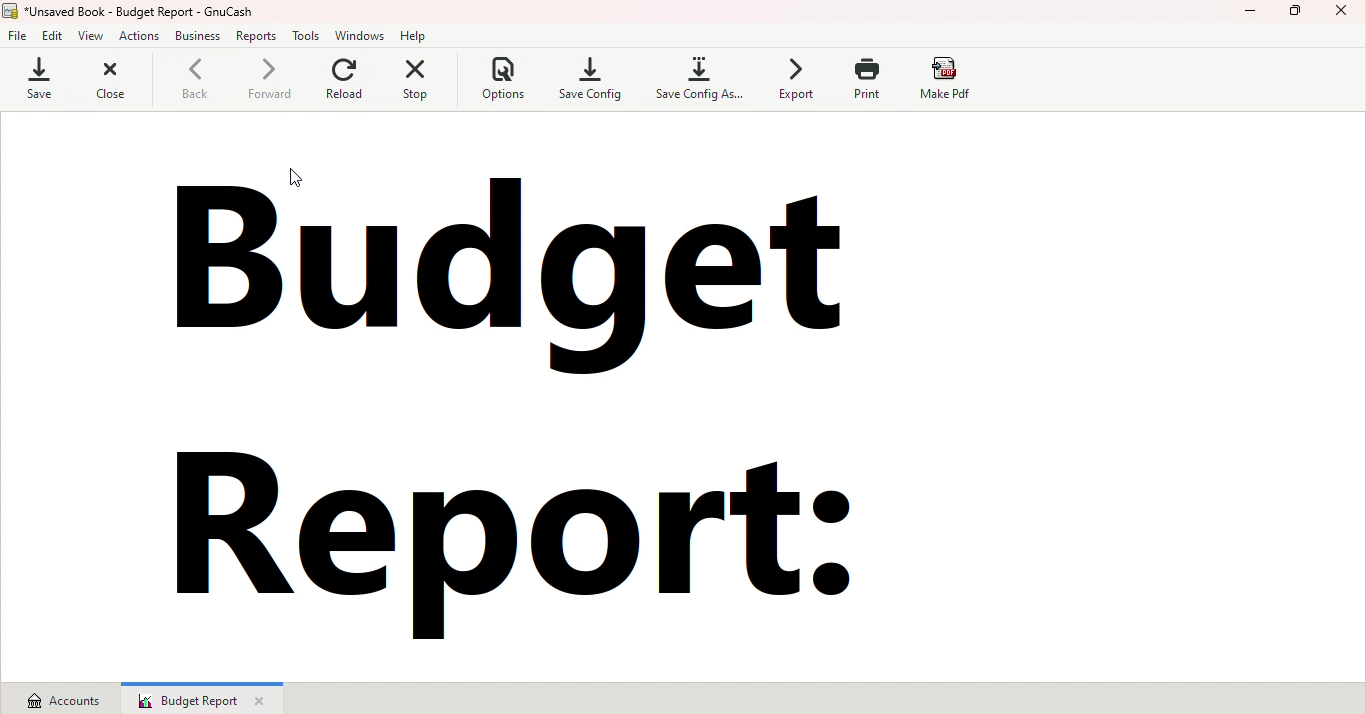 This screenshot has height=714, width=1366. Describe the element at coordinates (199, 35) in the screenshot. I see `business` at that location.